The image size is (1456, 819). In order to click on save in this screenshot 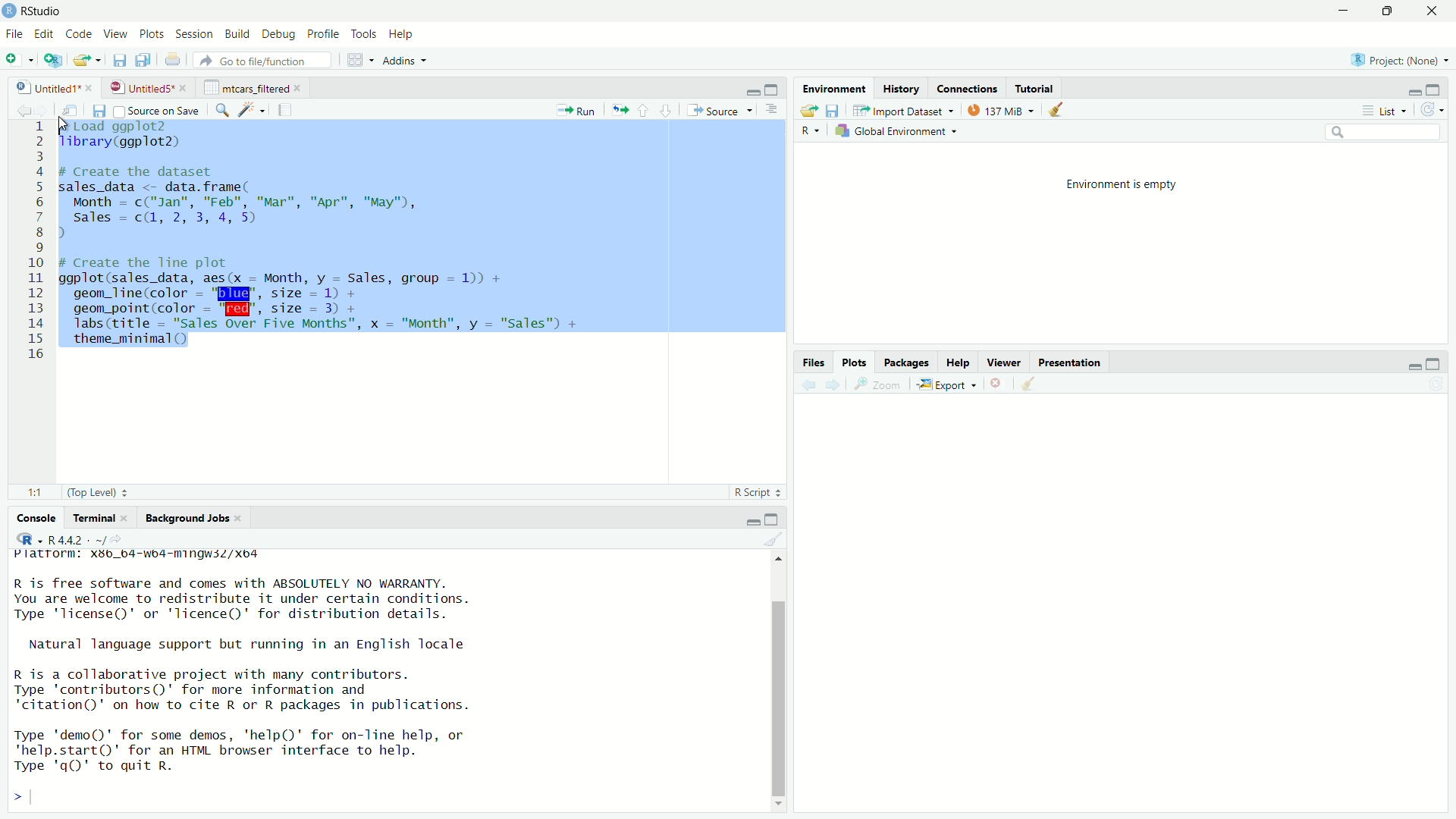, I will do `click(835, 111)`.